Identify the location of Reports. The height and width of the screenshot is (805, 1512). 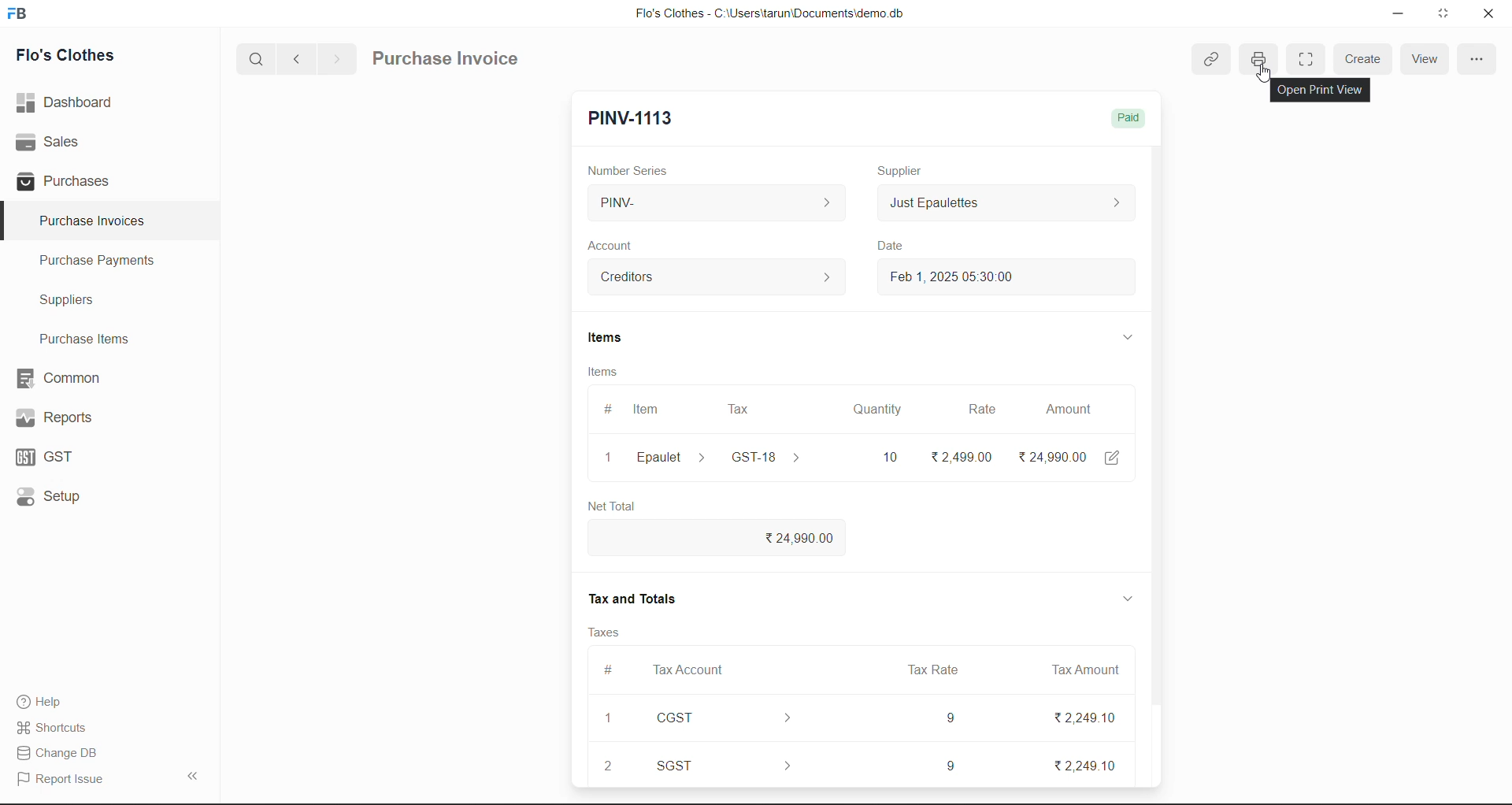
(71, 417).